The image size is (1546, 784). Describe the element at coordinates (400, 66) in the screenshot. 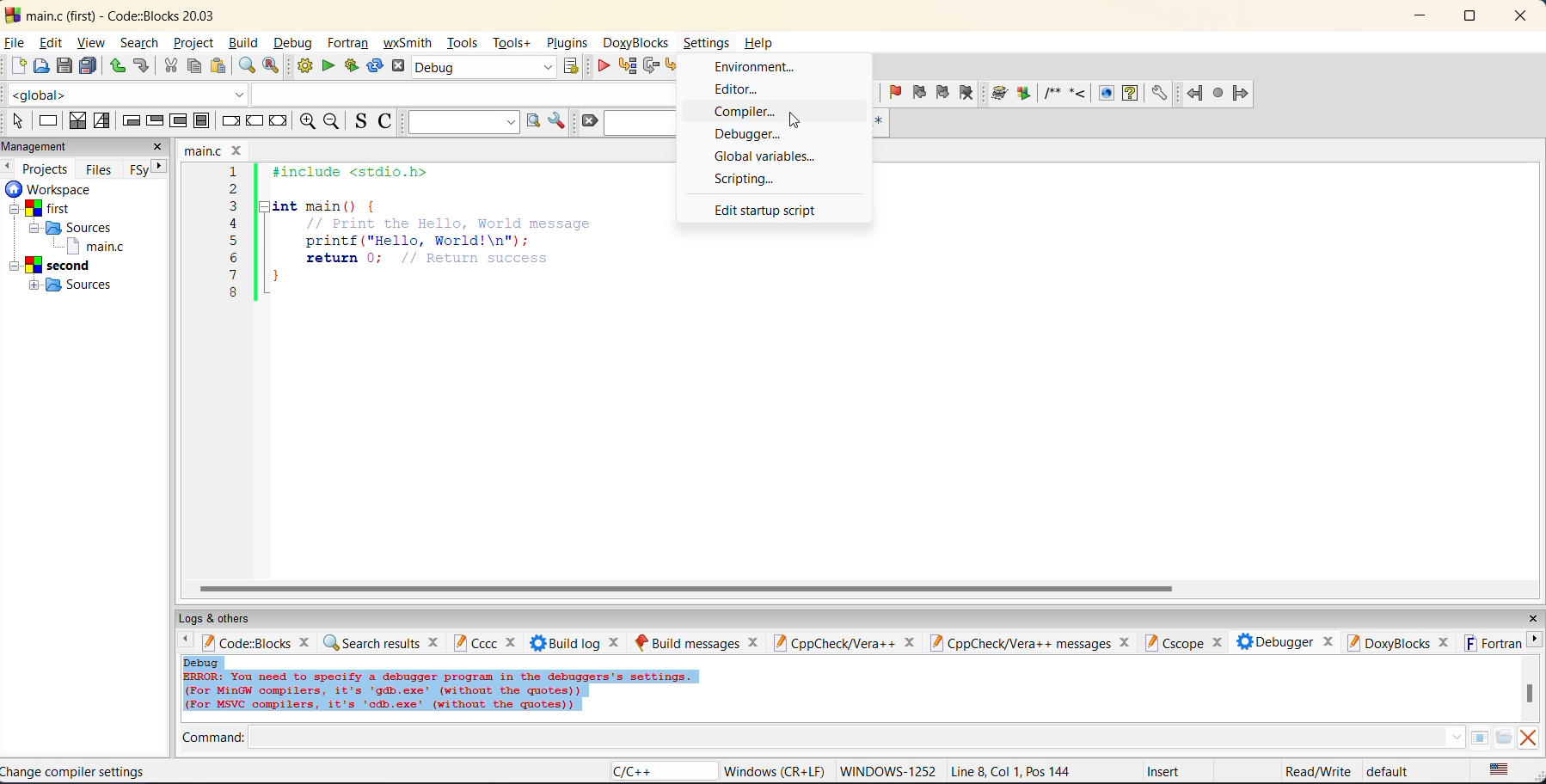

I see `abort` at that location.